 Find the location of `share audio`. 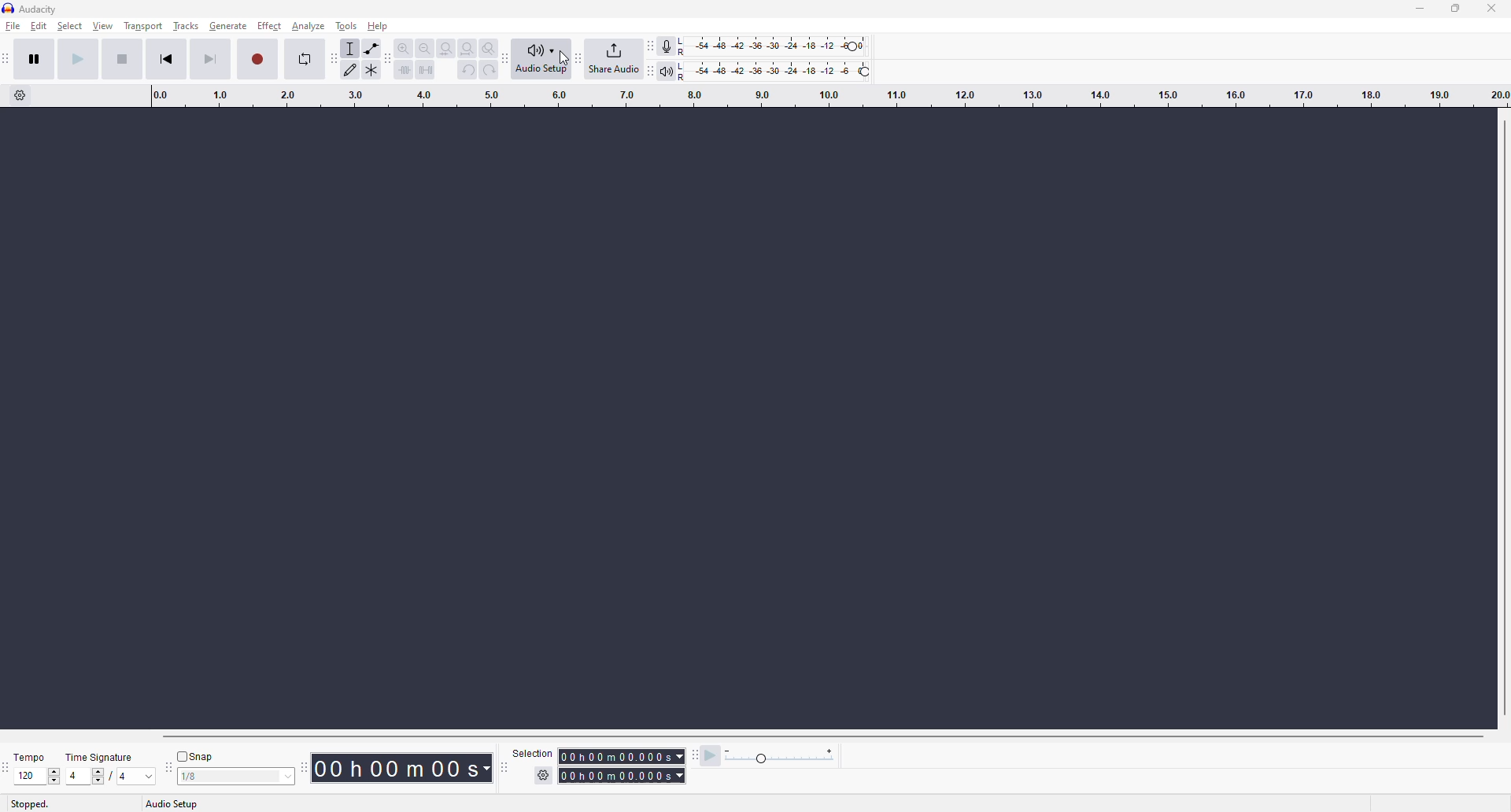

share audio is located at coordinates (610, 59).